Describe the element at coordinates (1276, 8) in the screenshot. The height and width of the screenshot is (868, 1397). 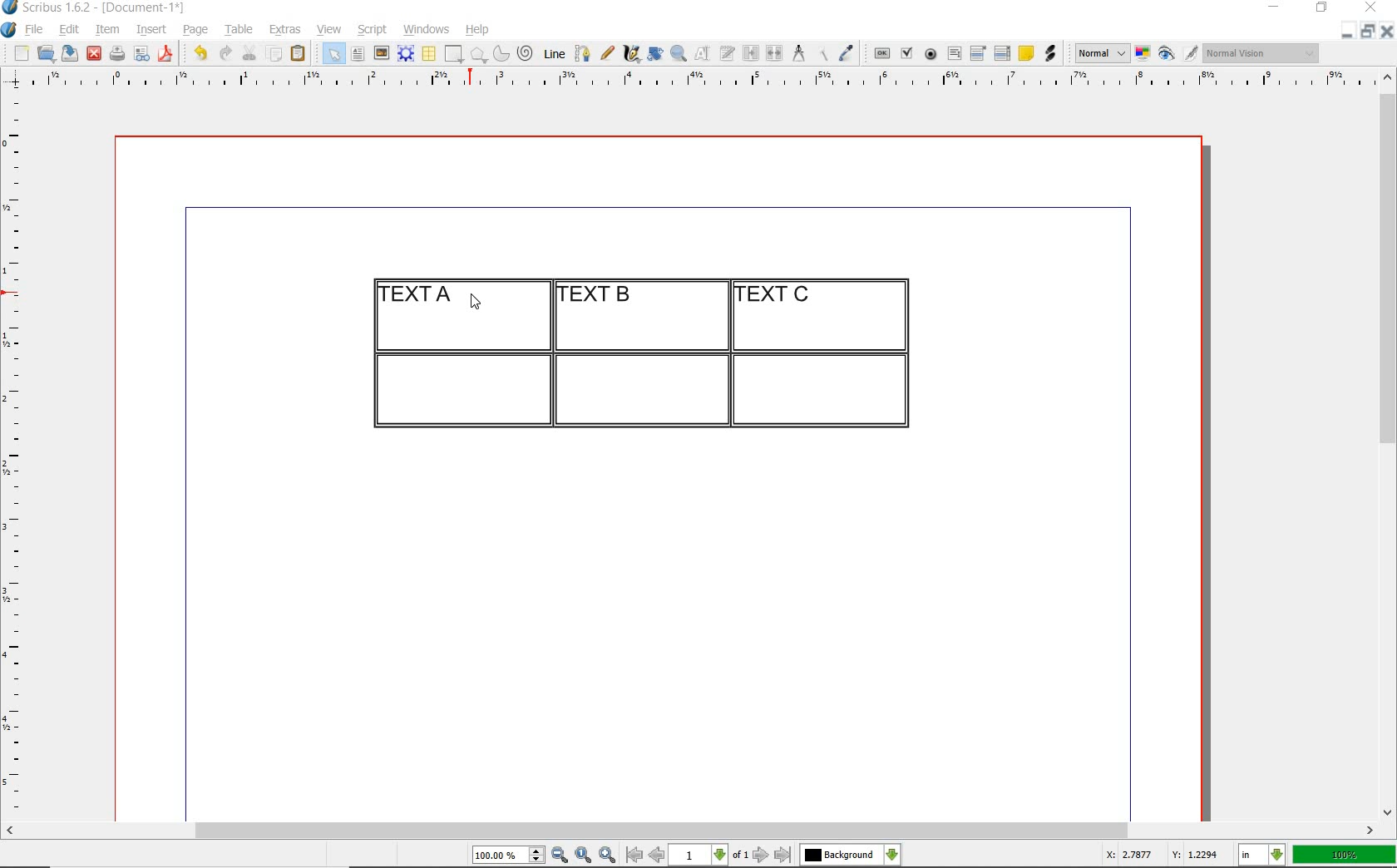
I see `minimize` at that location.